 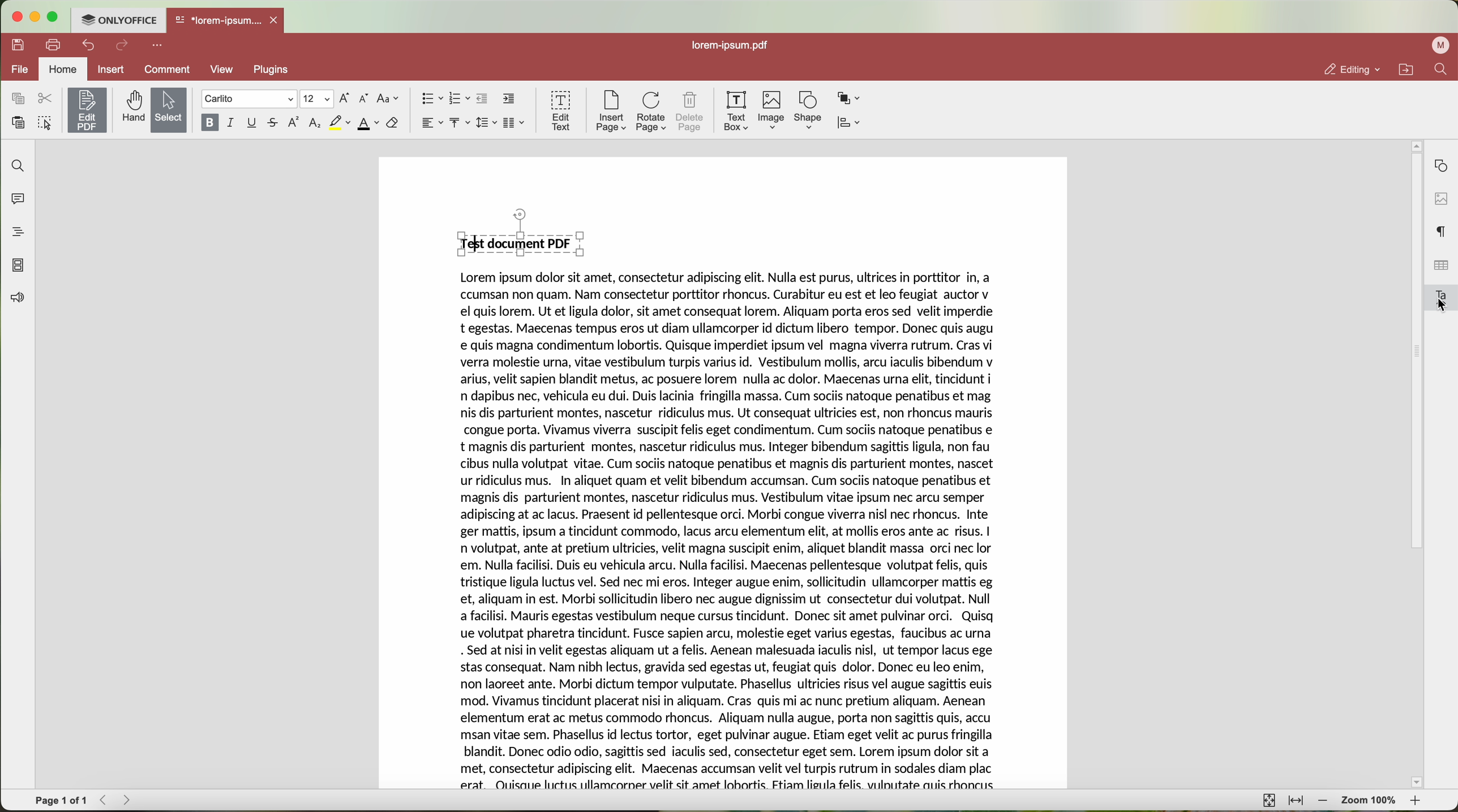 What do you see at coordinates (559, 111) in the screenshot?
I see `edit text` at bounding box center [559, 111].